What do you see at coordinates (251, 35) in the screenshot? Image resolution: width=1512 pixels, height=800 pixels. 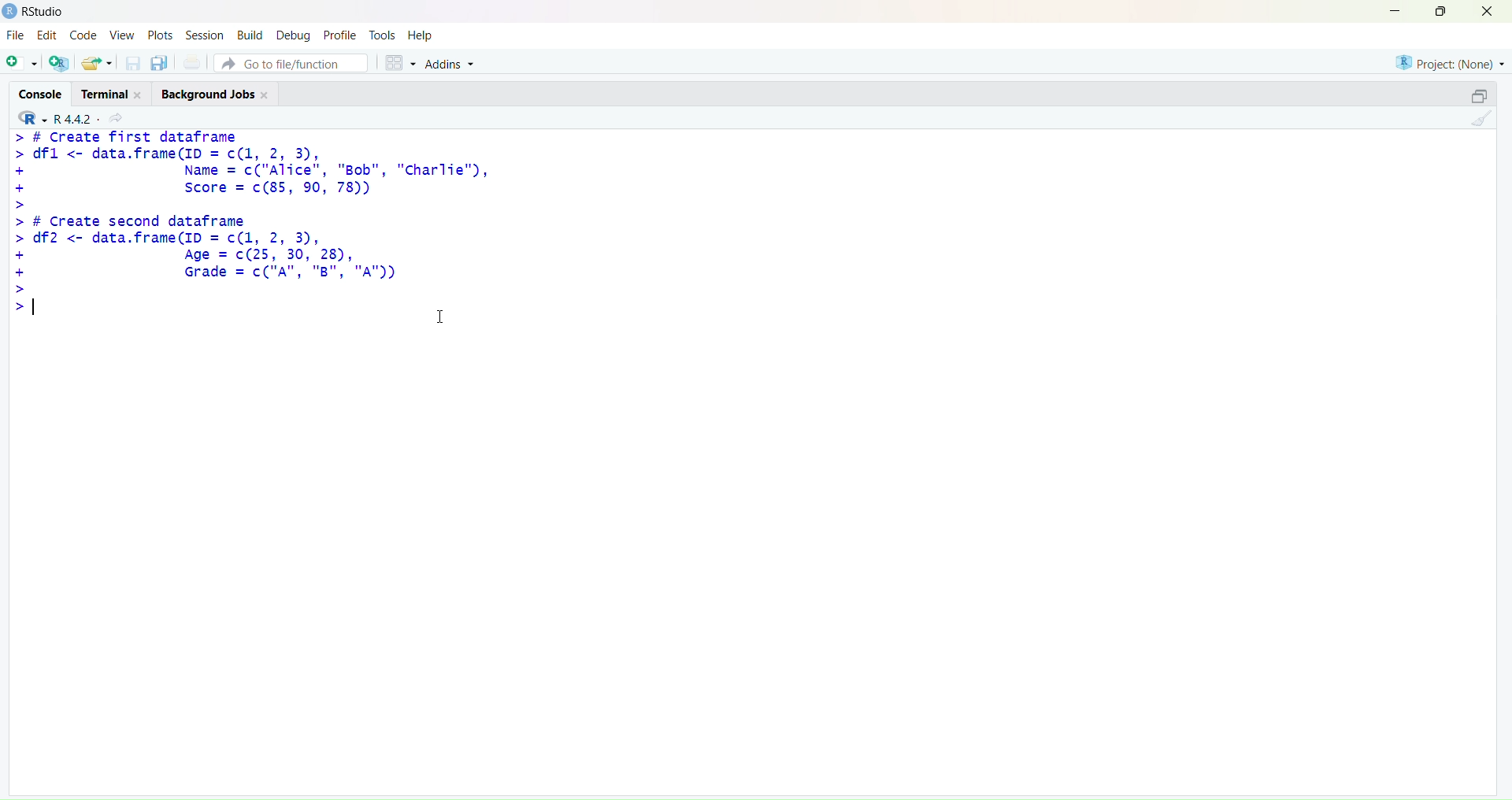 I see `Build` at bounding box center [251, 35].